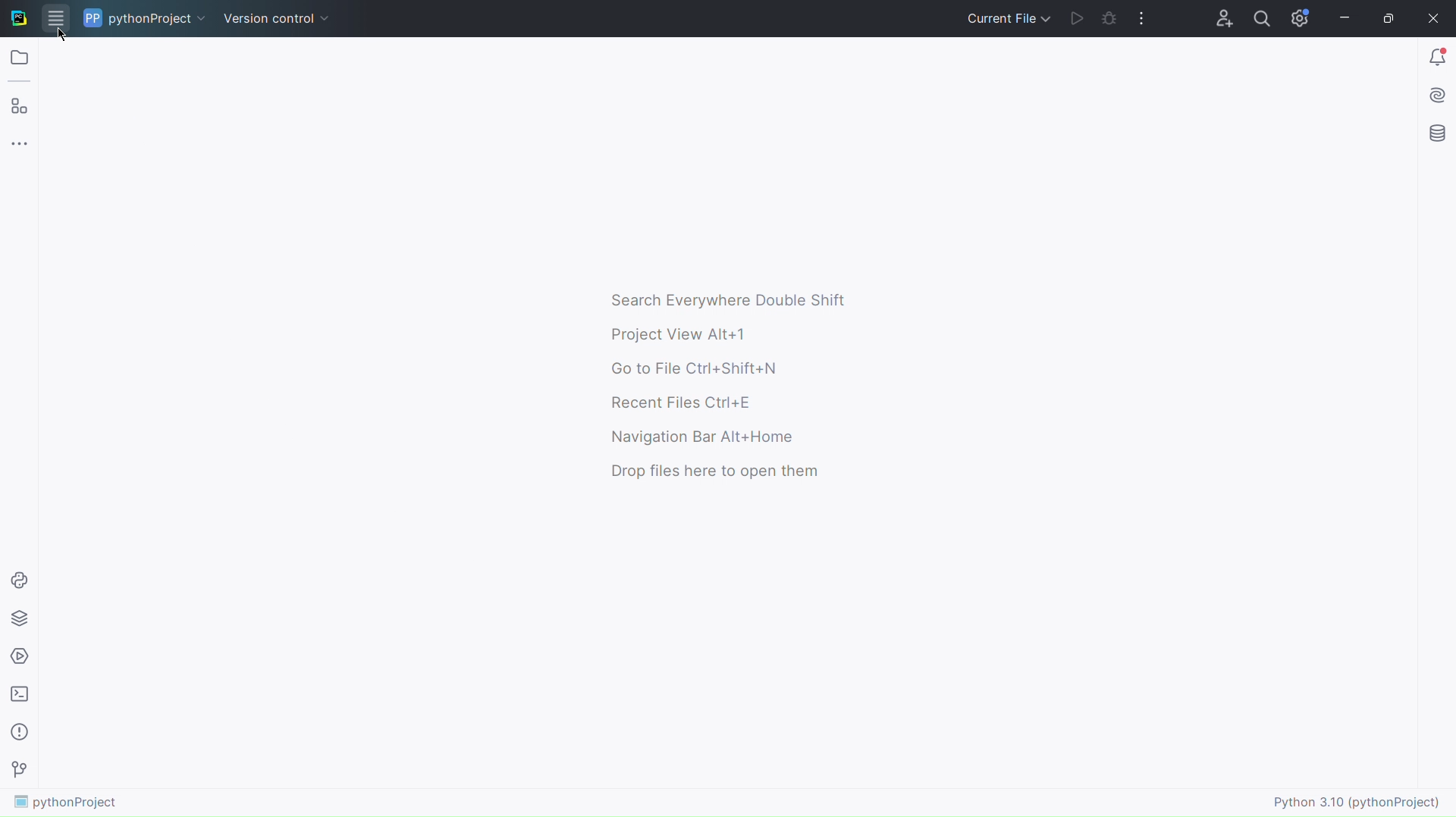 Image resolution: width=1456 pixels, height=817 pixels. I want to click on Close, so click(1437, 17).